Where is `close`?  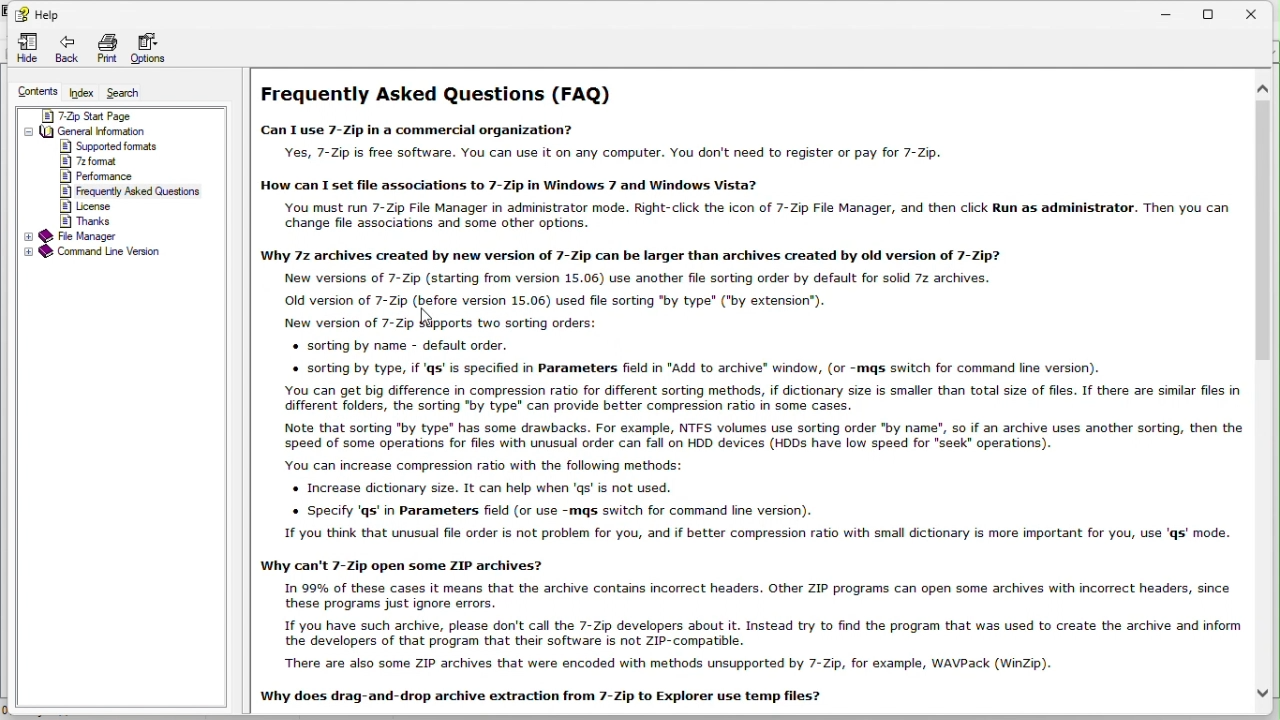
close is located at coordinates (1258, 13).